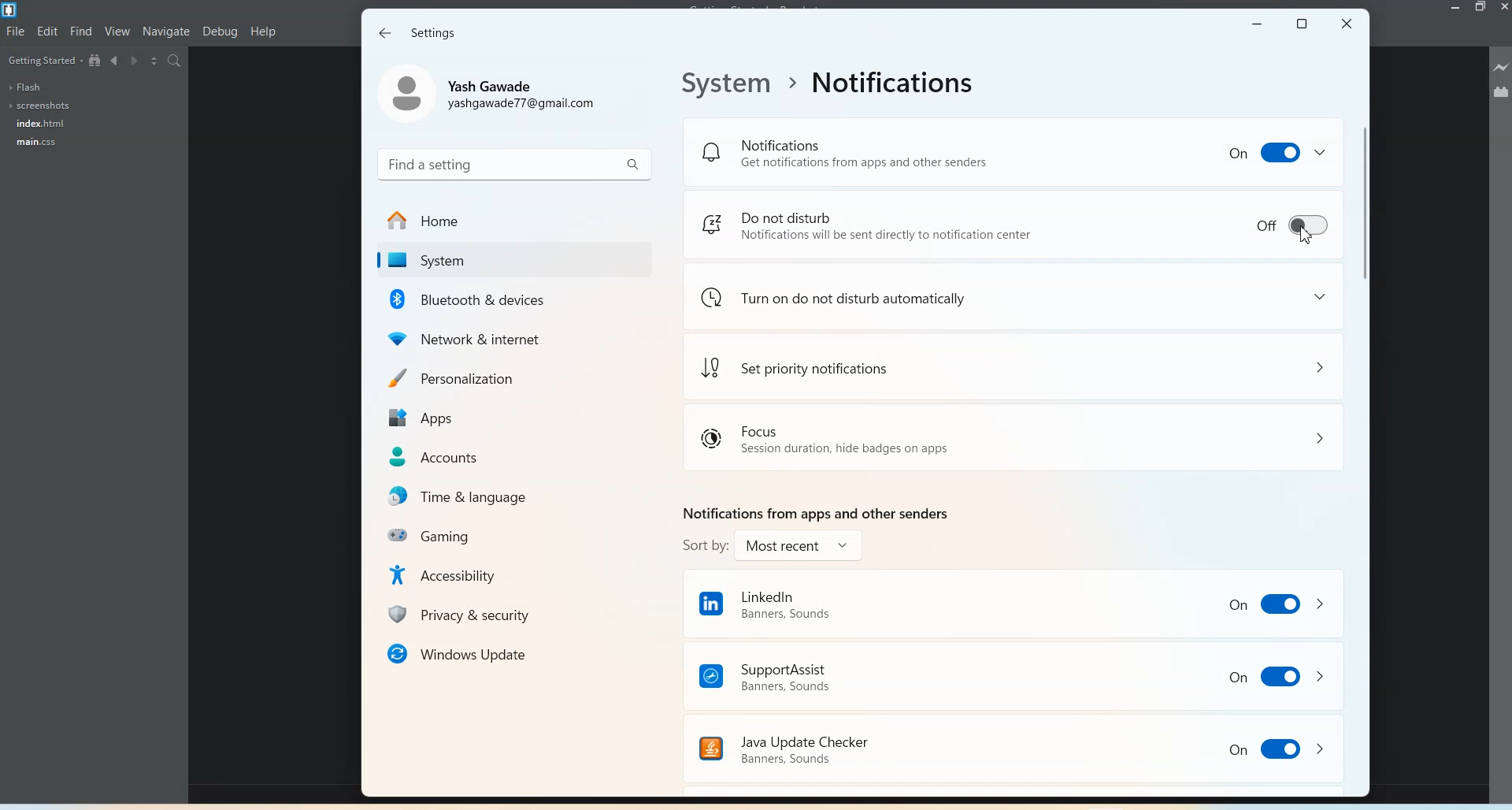  I want to click on Text, so click(813, 512).